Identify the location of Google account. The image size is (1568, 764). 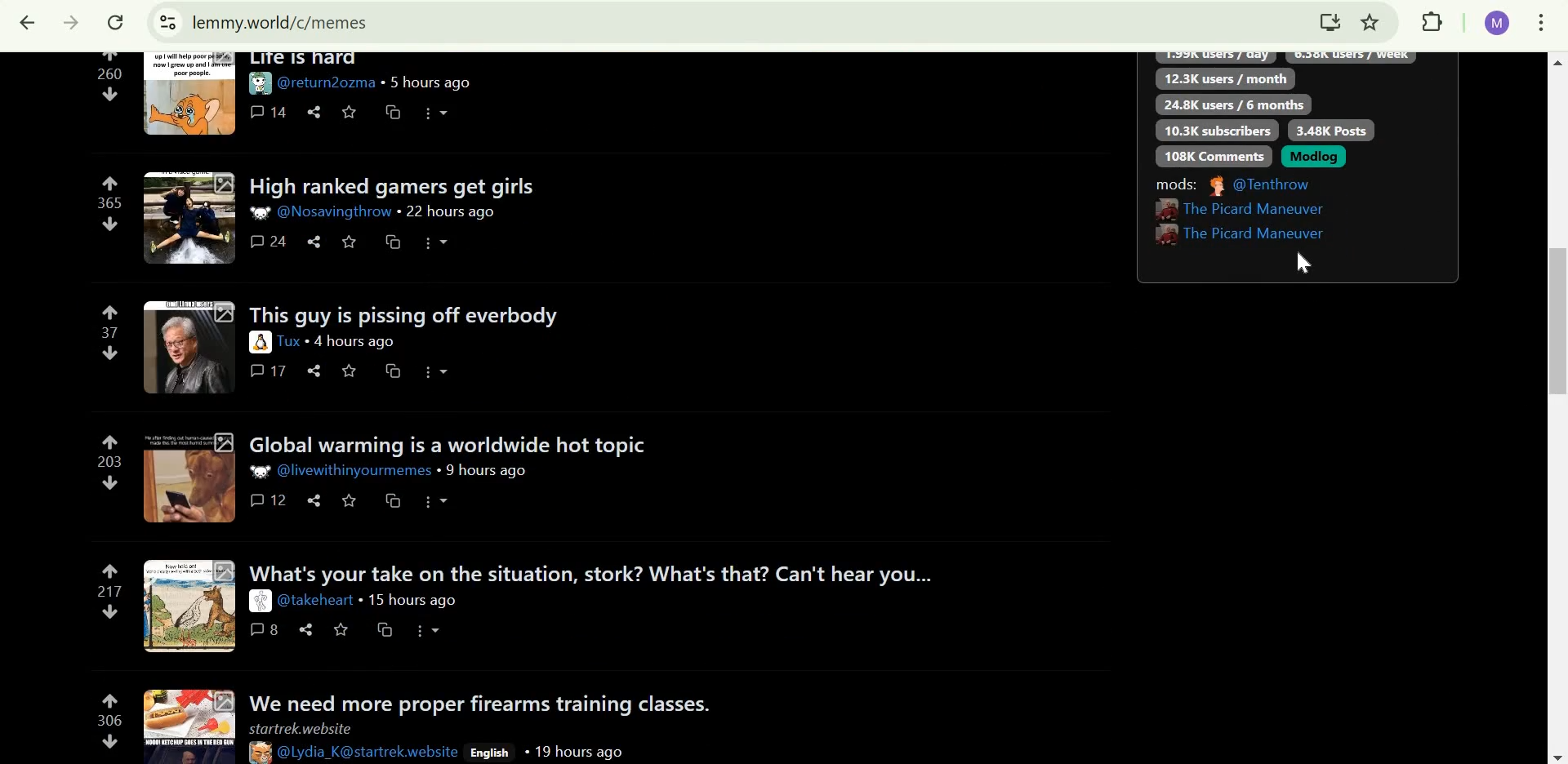
(1496, 24).